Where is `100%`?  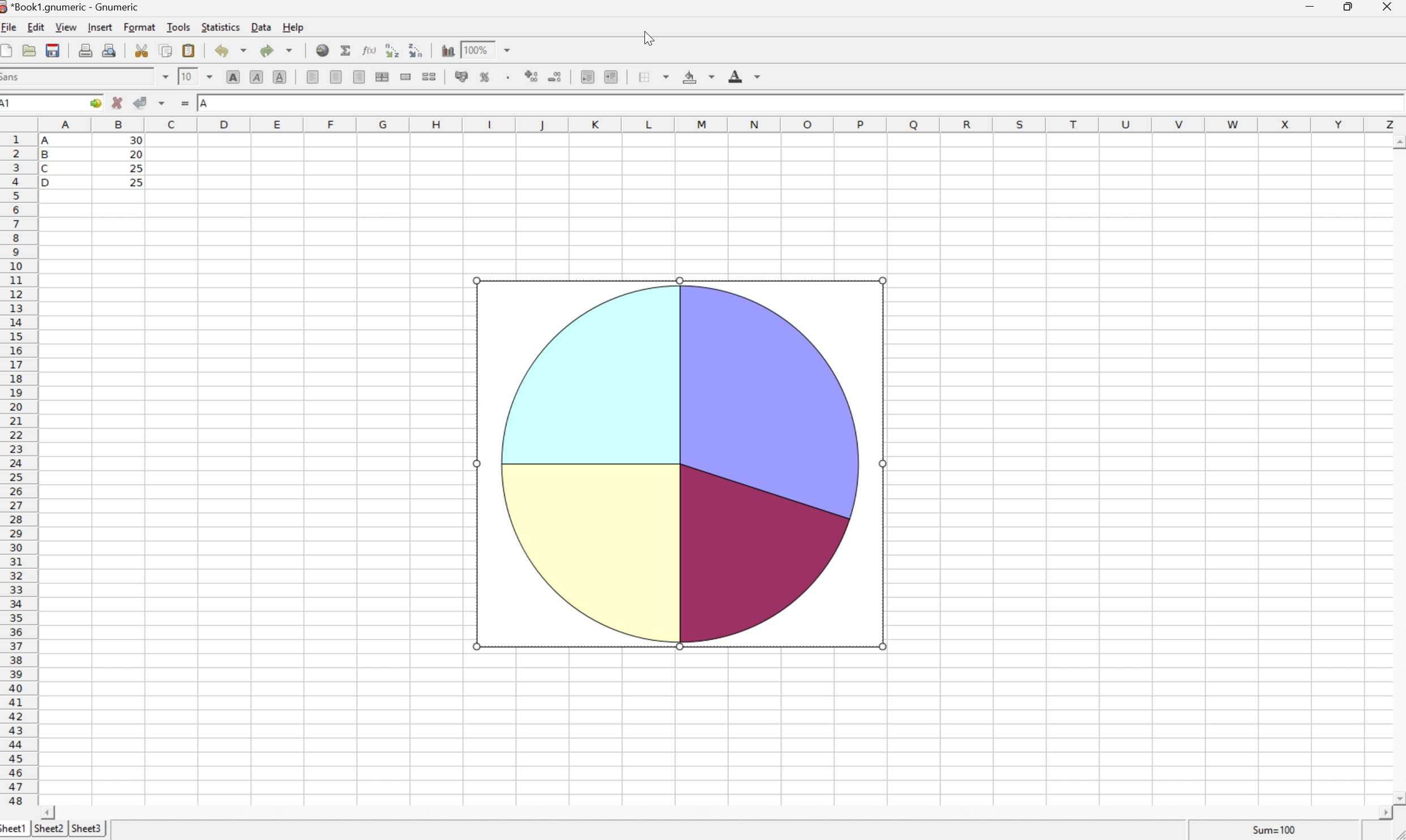
100% is located at coordinates (475, 49).